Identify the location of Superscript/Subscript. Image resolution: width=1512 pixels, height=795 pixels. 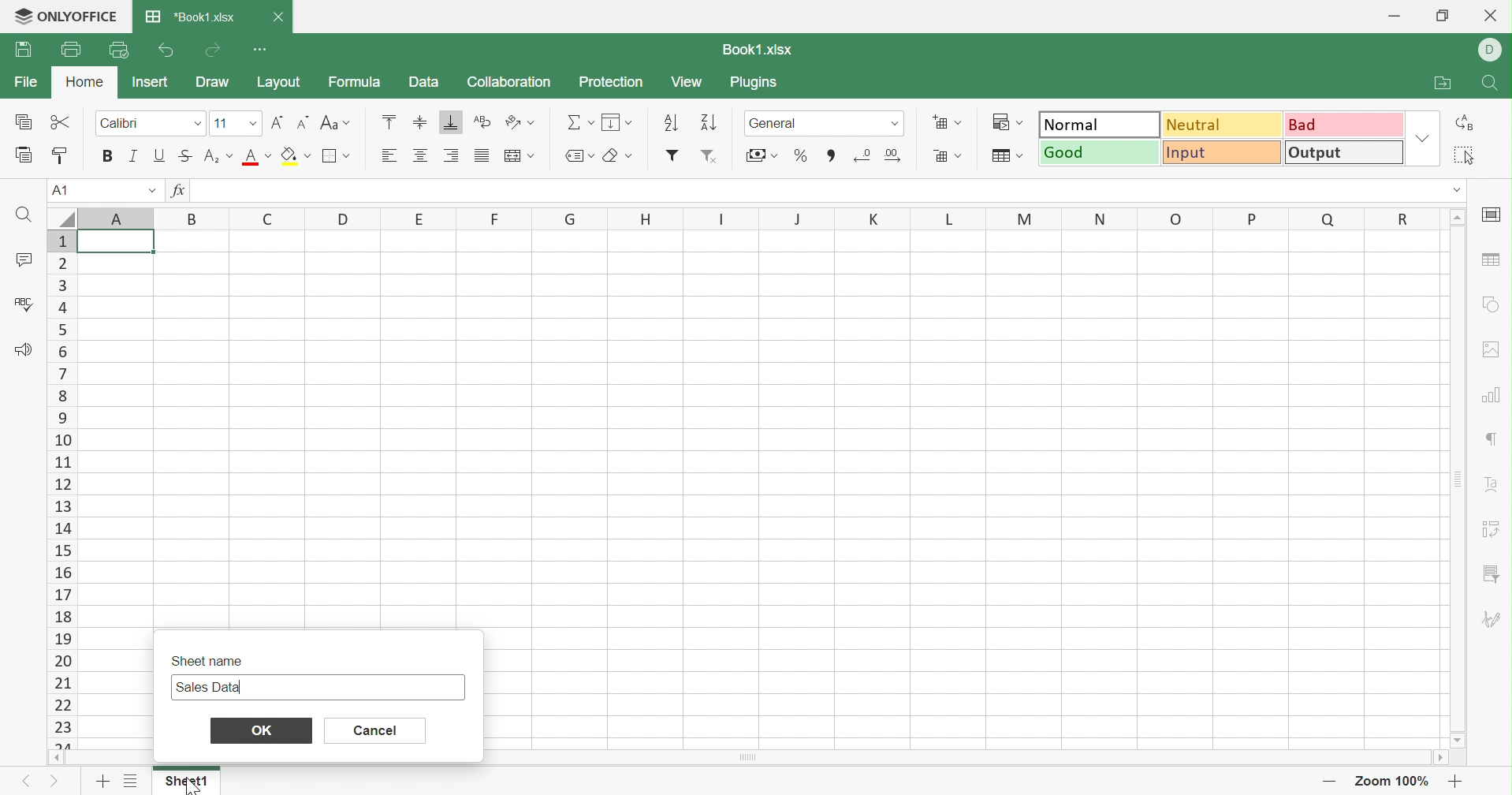
(214, 154).